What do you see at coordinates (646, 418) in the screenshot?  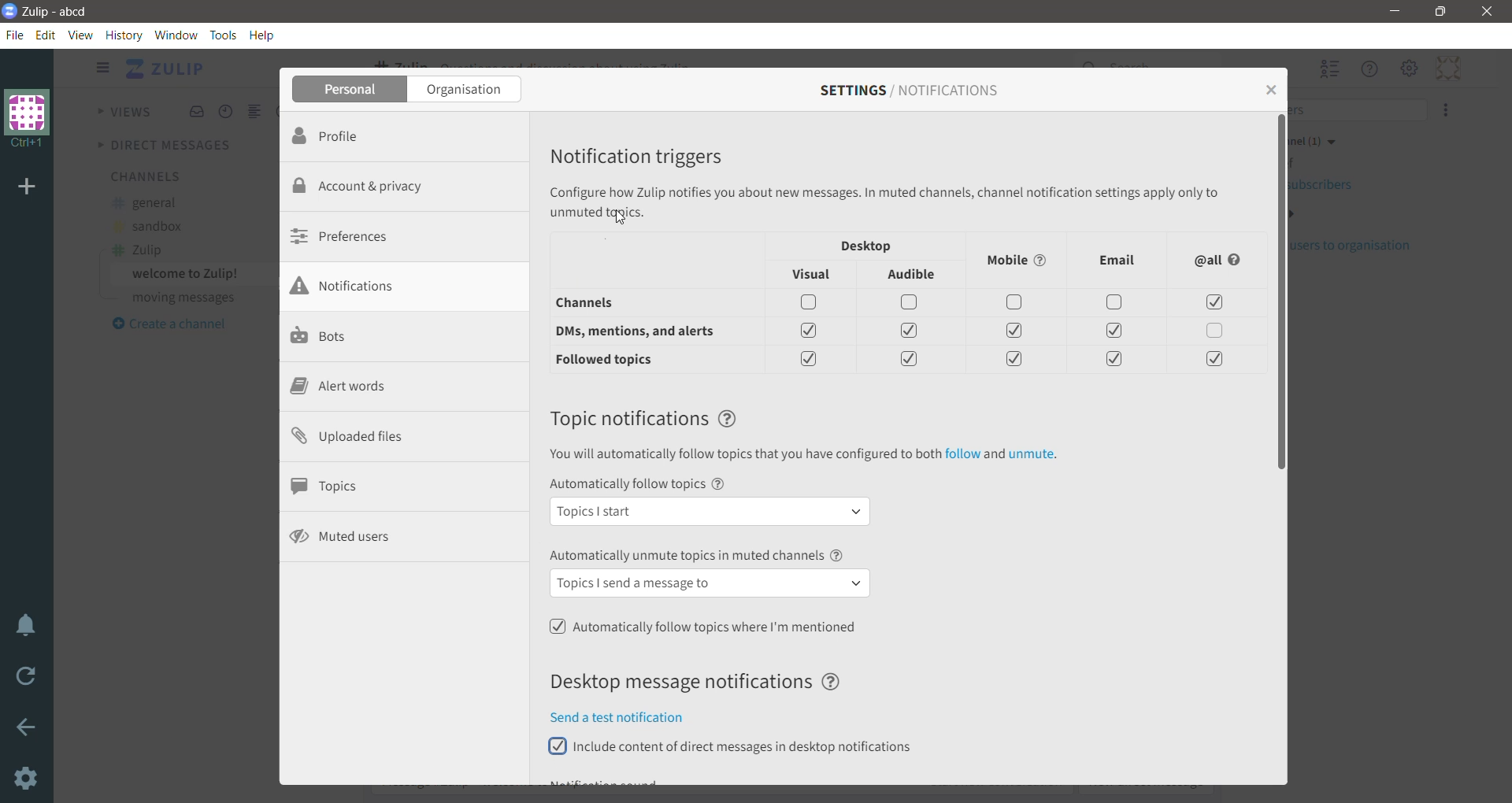 I see `Topic Notifications` at bounding box center [646, 418].